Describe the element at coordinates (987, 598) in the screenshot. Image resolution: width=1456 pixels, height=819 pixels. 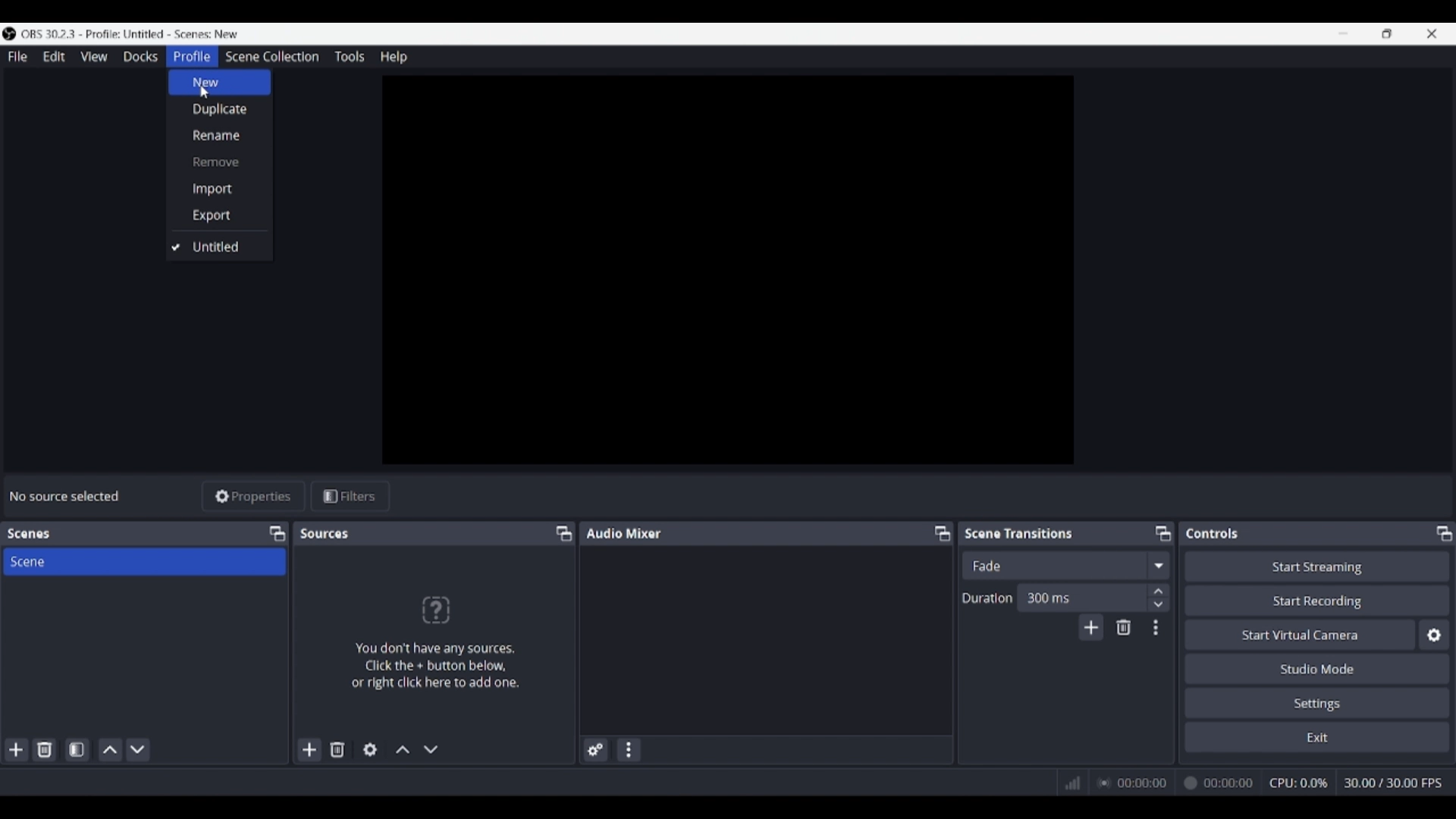
I see `Indicates duration` at that location.